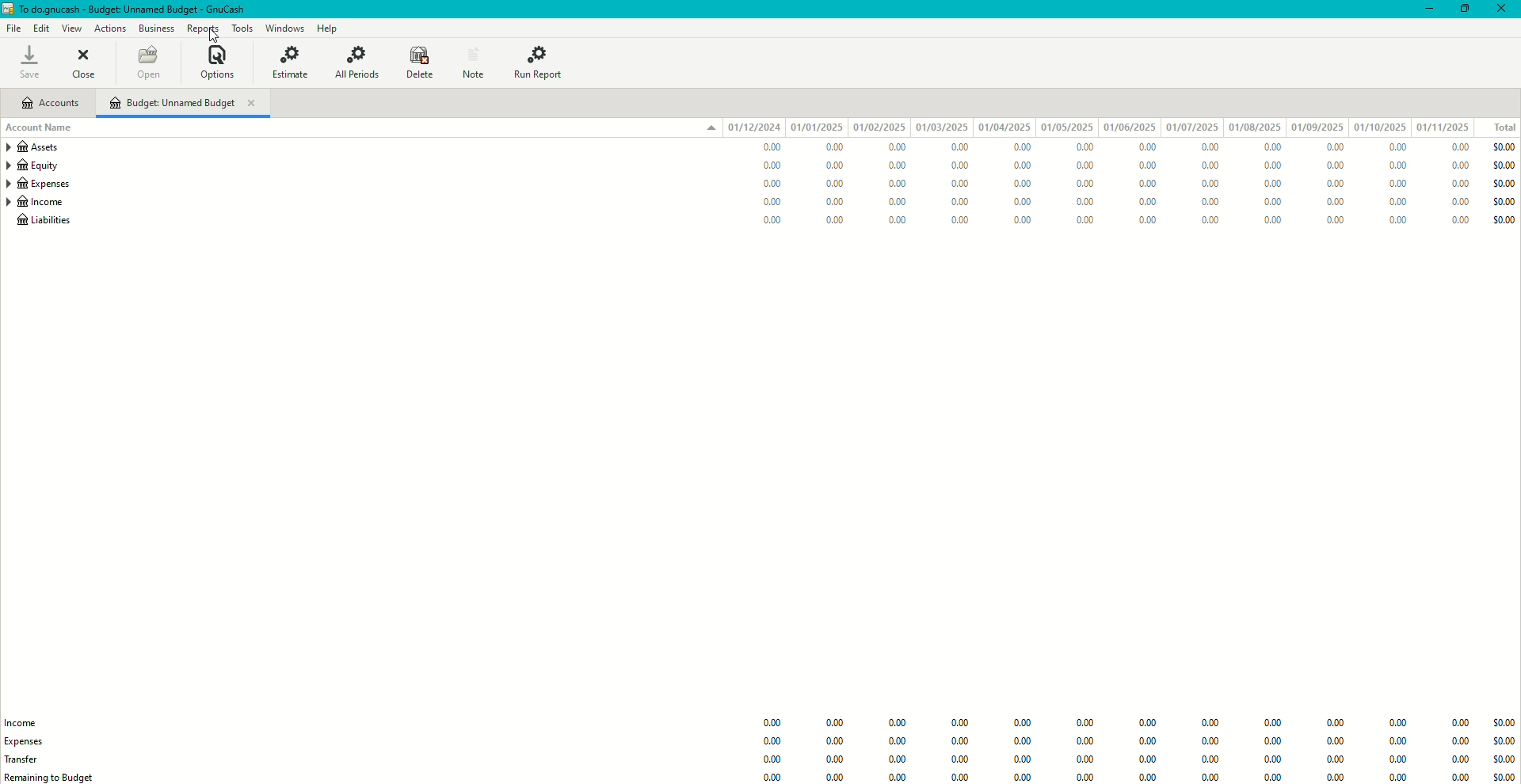 The image size is (1521, 784). I want to click on Estimate, so click(292, 63).